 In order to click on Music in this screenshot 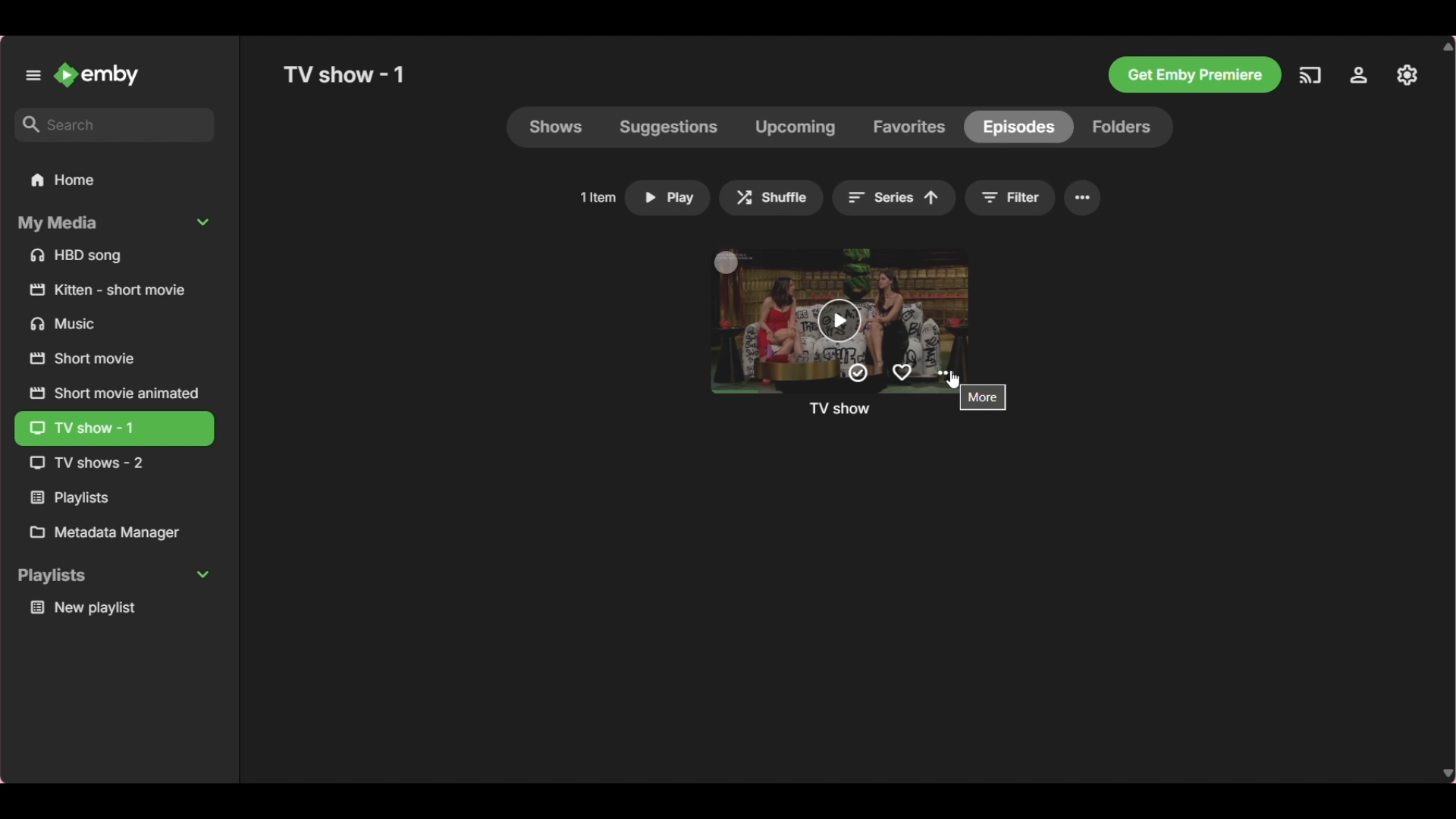, I will do `click(115, 323)`.